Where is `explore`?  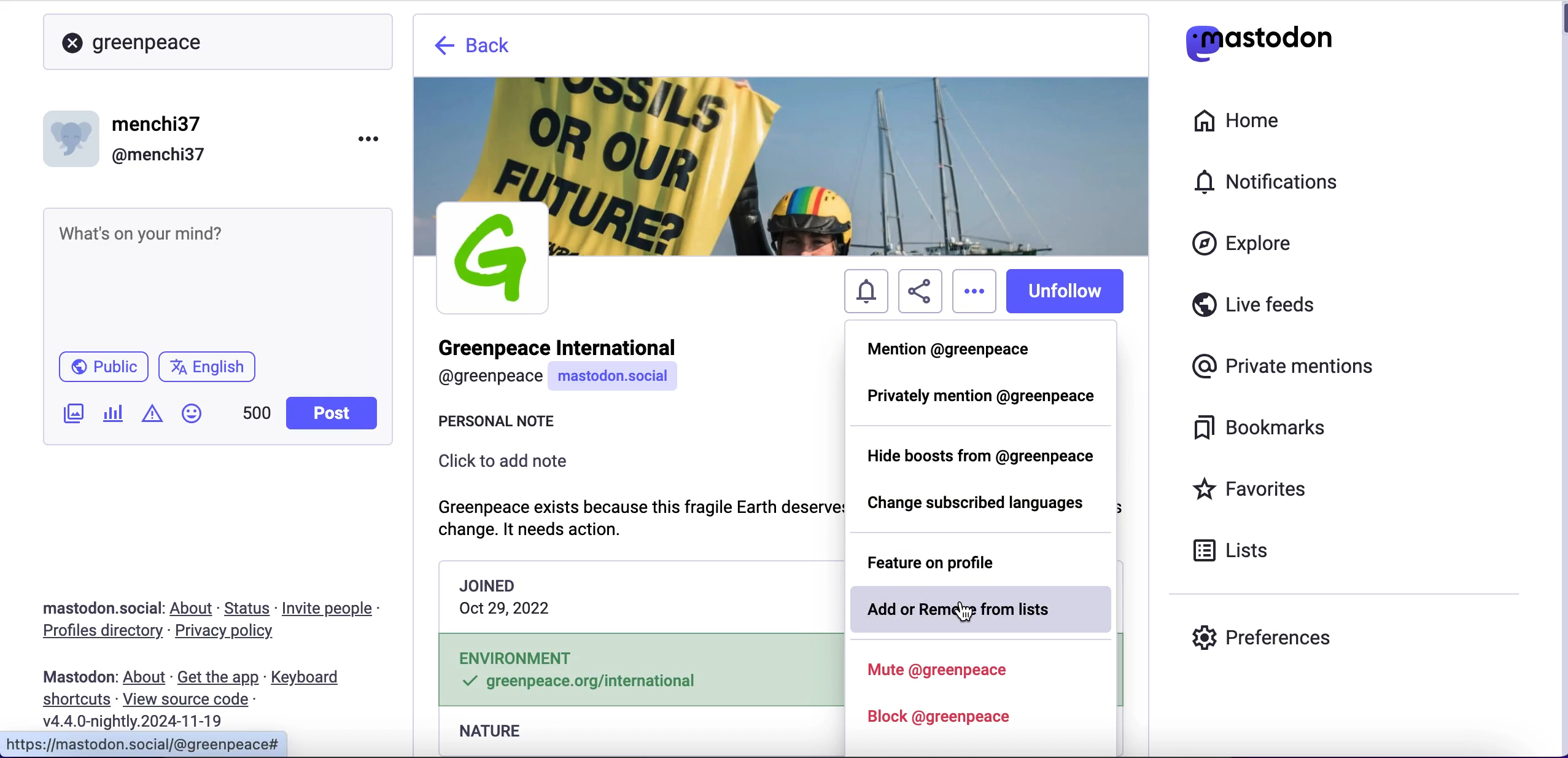
explore is located at coordinates (1254, 244).